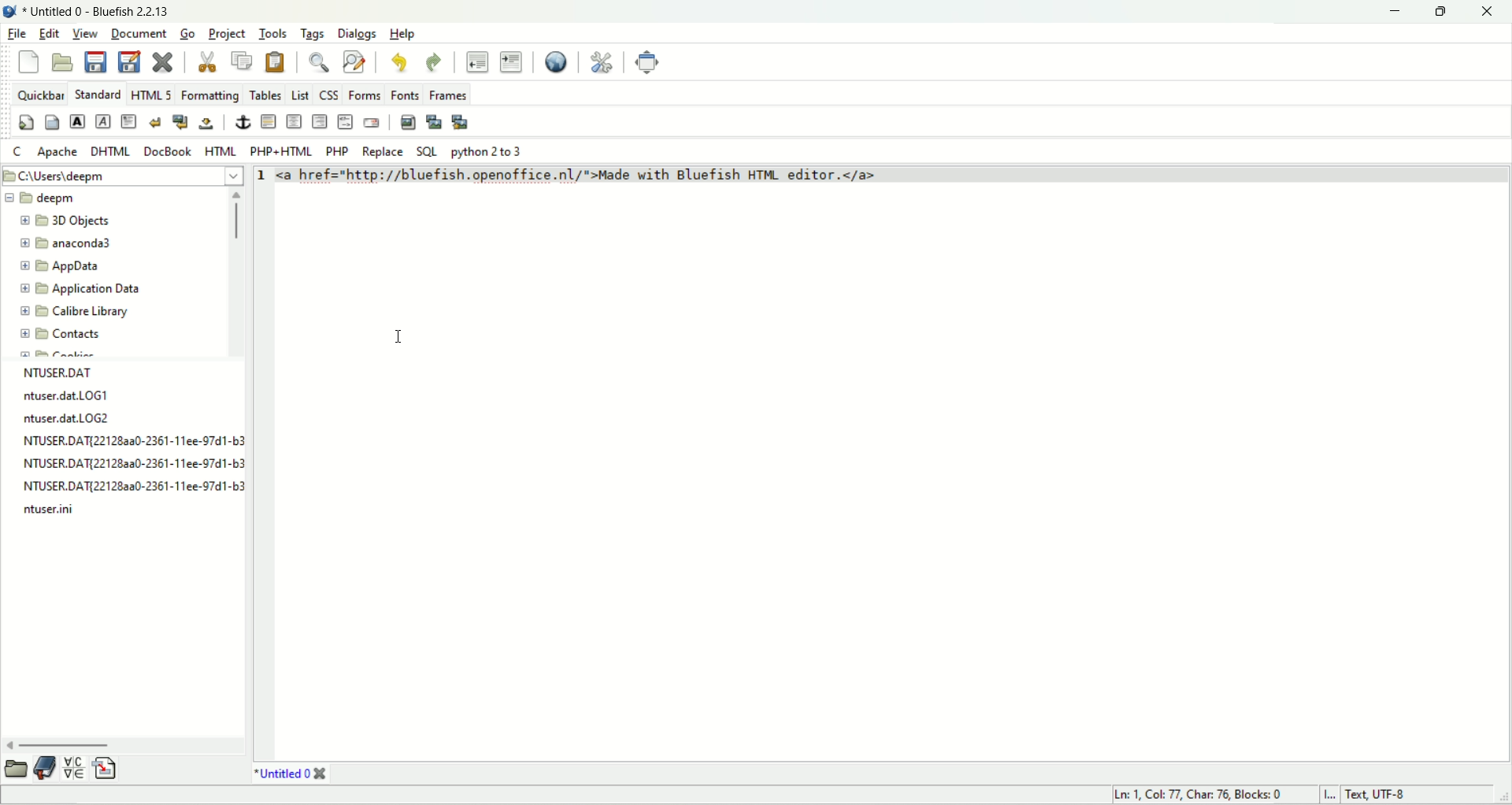 This screenshot has height=805, width=1512. Describe the element at coordinates (459, 122) in the screenshot. I see `MULTI-THUMBNAIL` at that location.